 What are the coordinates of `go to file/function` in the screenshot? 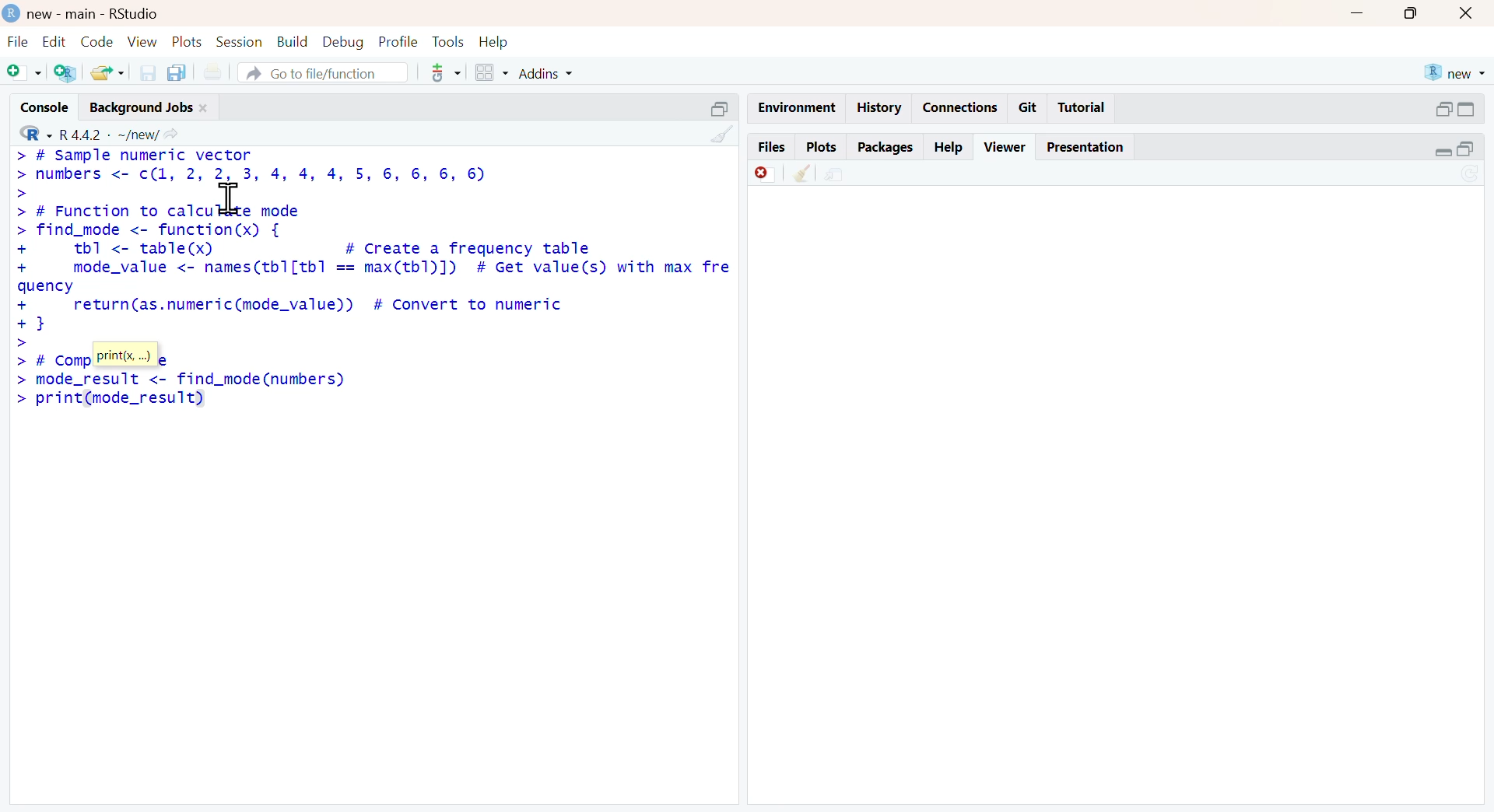 It's located at (324, 72).